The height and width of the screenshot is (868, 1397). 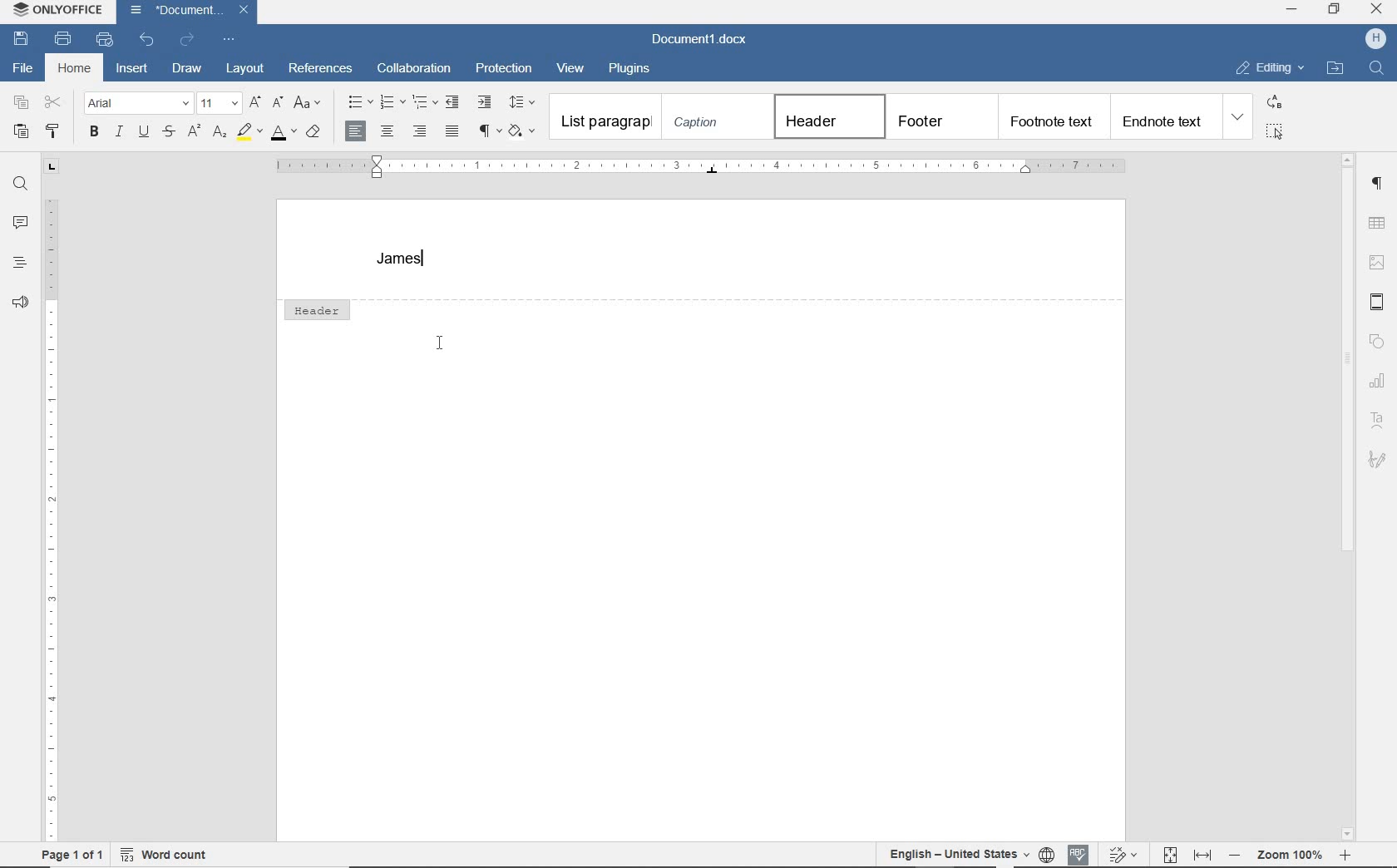 What do you see at coordinates (170, 133) in the screenshot?
I see `strikethrough` at bounding box center [170, 133].